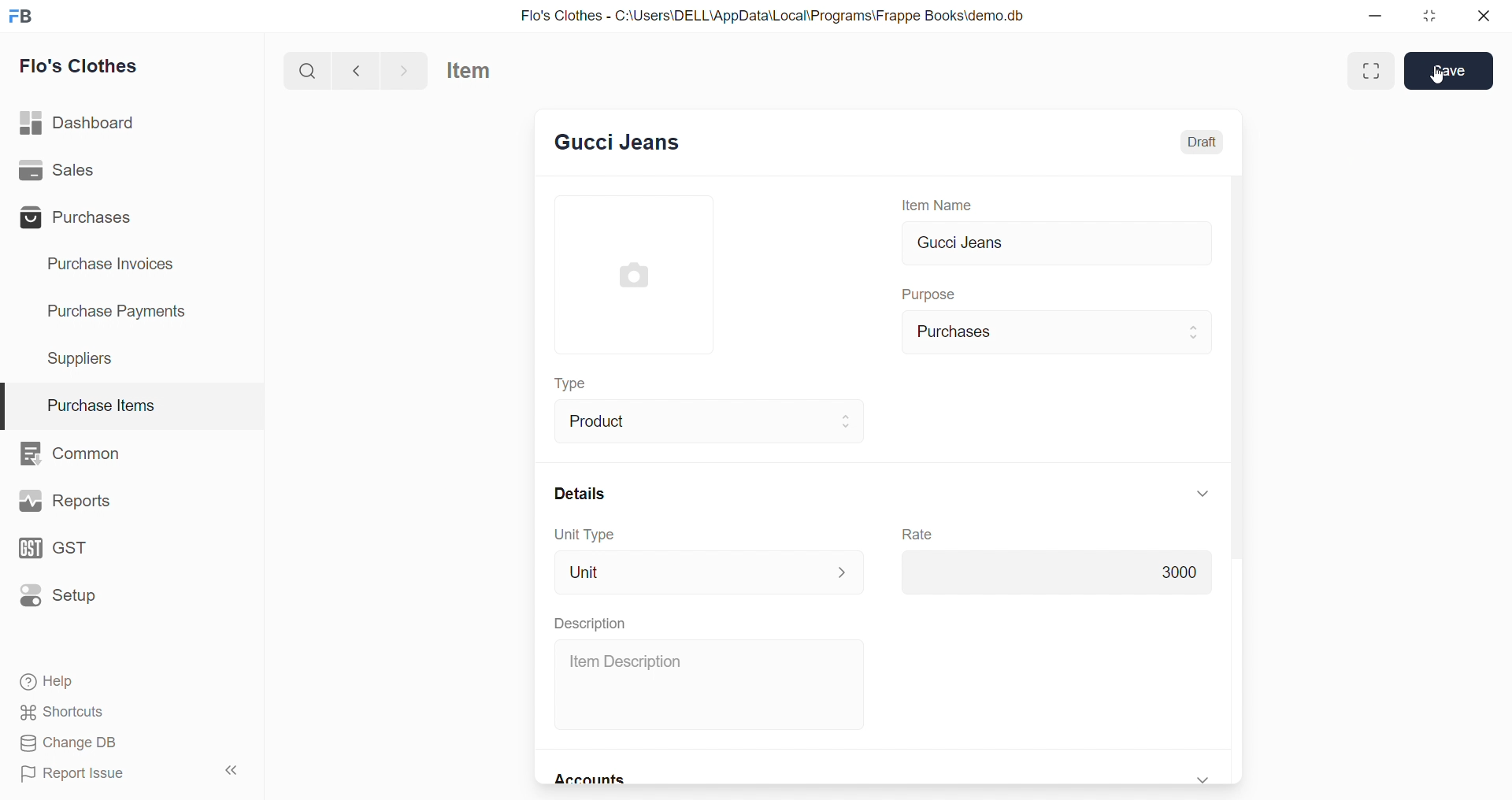 This screenshot has height=800, width=1512. Describe the element at coordinates (306, 69) in the screenshot. I see `search` at that location.